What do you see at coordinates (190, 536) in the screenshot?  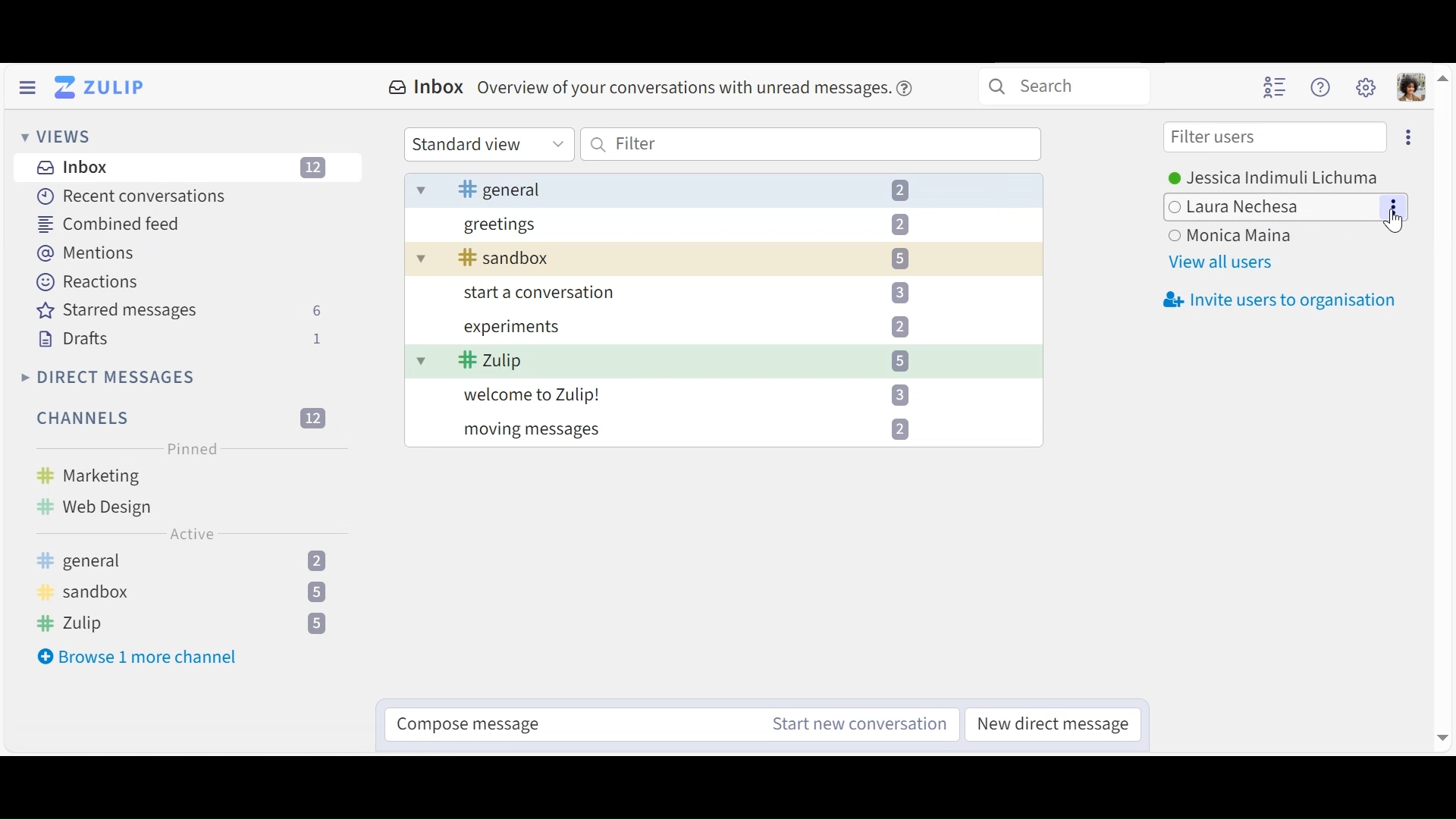 I see `Active` at bounding box center [190, 536].